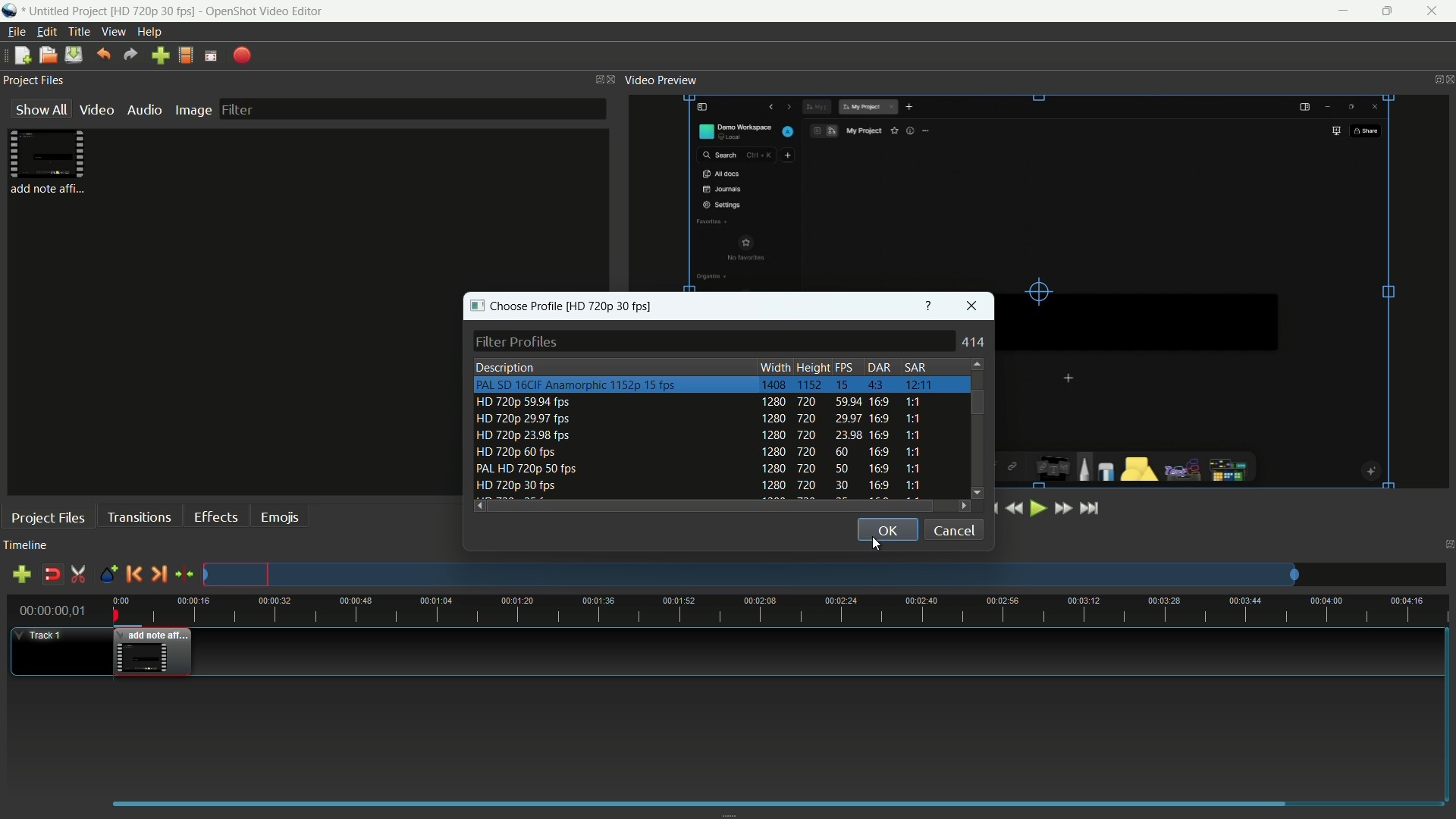  What do you see at coordinates (131, 55) in the screenshot?
I see `redo` at bounding box center [131, 55].